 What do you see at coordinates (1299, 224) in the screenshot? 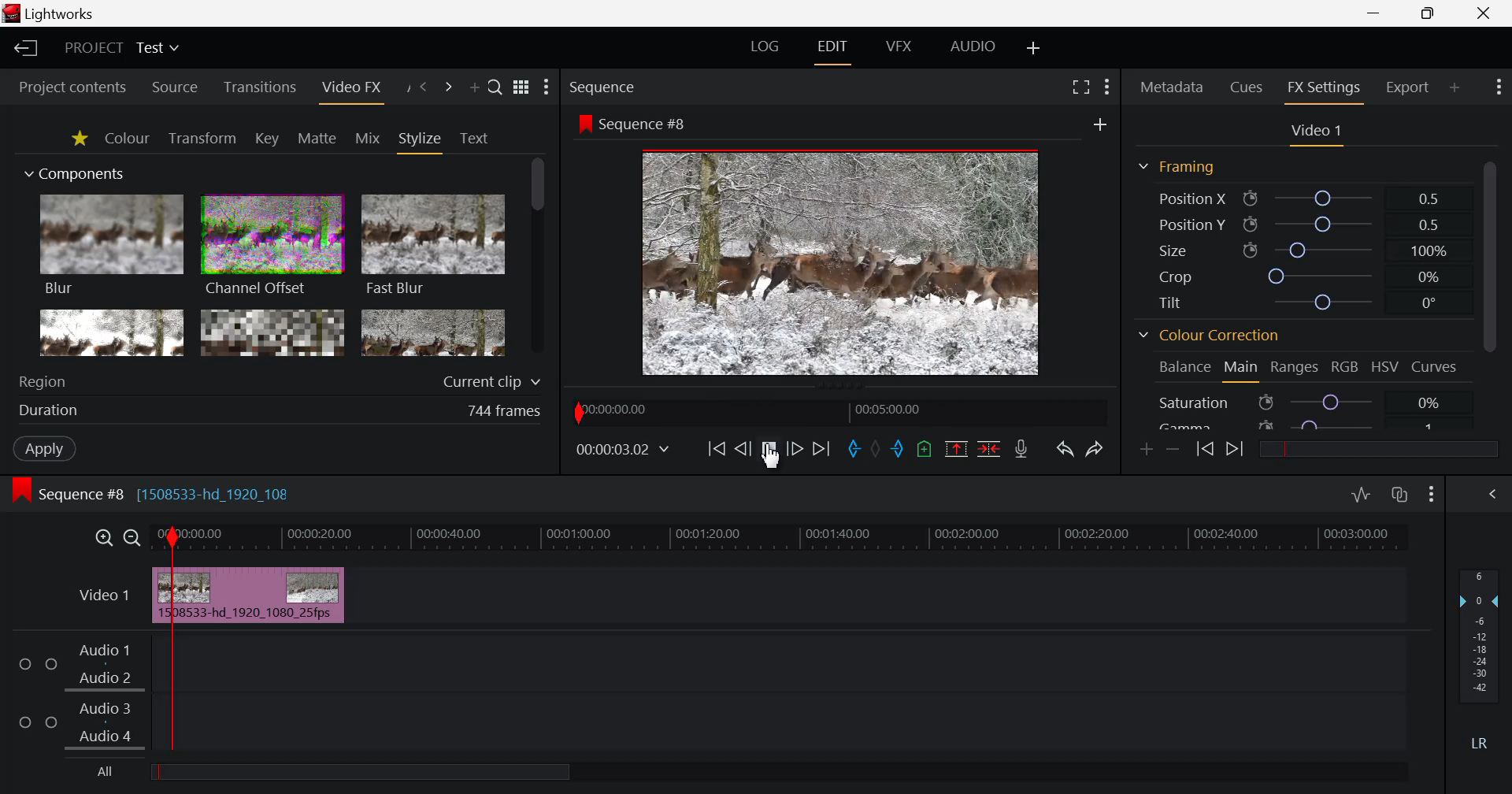
I see `Position Y` at bounding box center [1299, 224].